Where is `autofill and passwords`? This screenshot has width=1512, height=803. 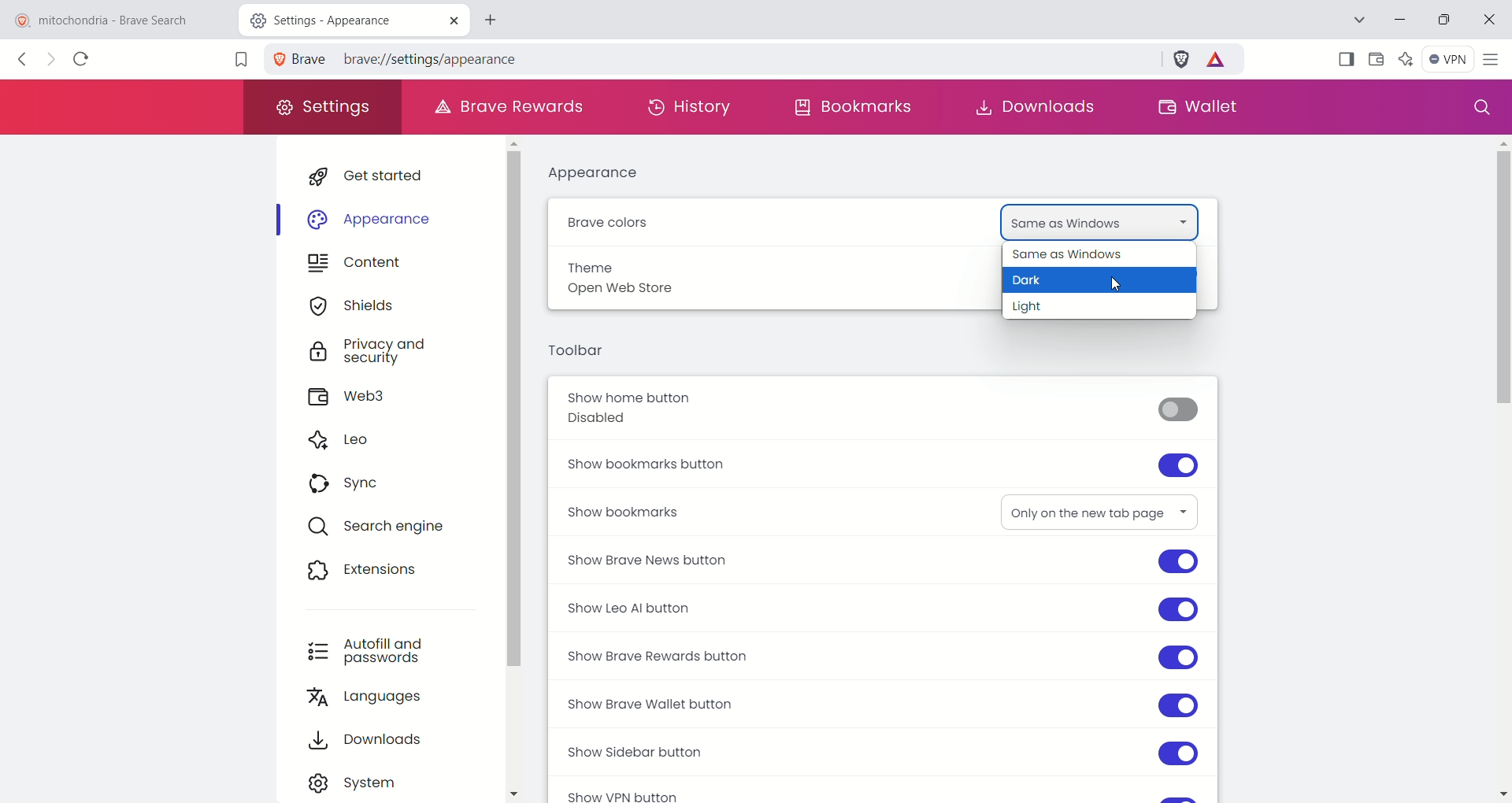
autofill and passwords is located at coordinates (371, 649).